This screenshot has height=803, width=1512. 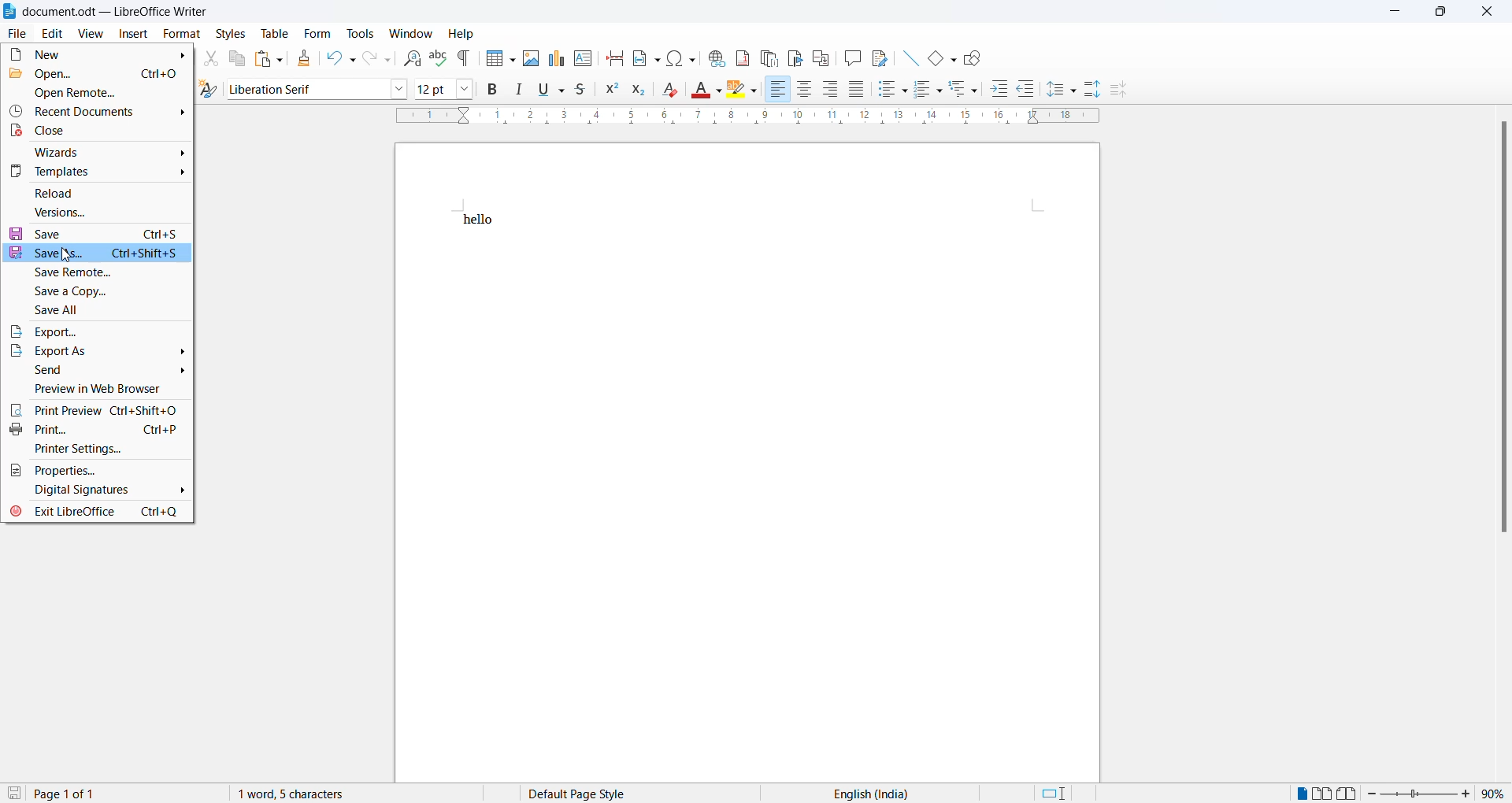 What do you see at coordinates (927, 91) in the screenshot?
I see `Toggle order list` at bounding box center [927, 91].